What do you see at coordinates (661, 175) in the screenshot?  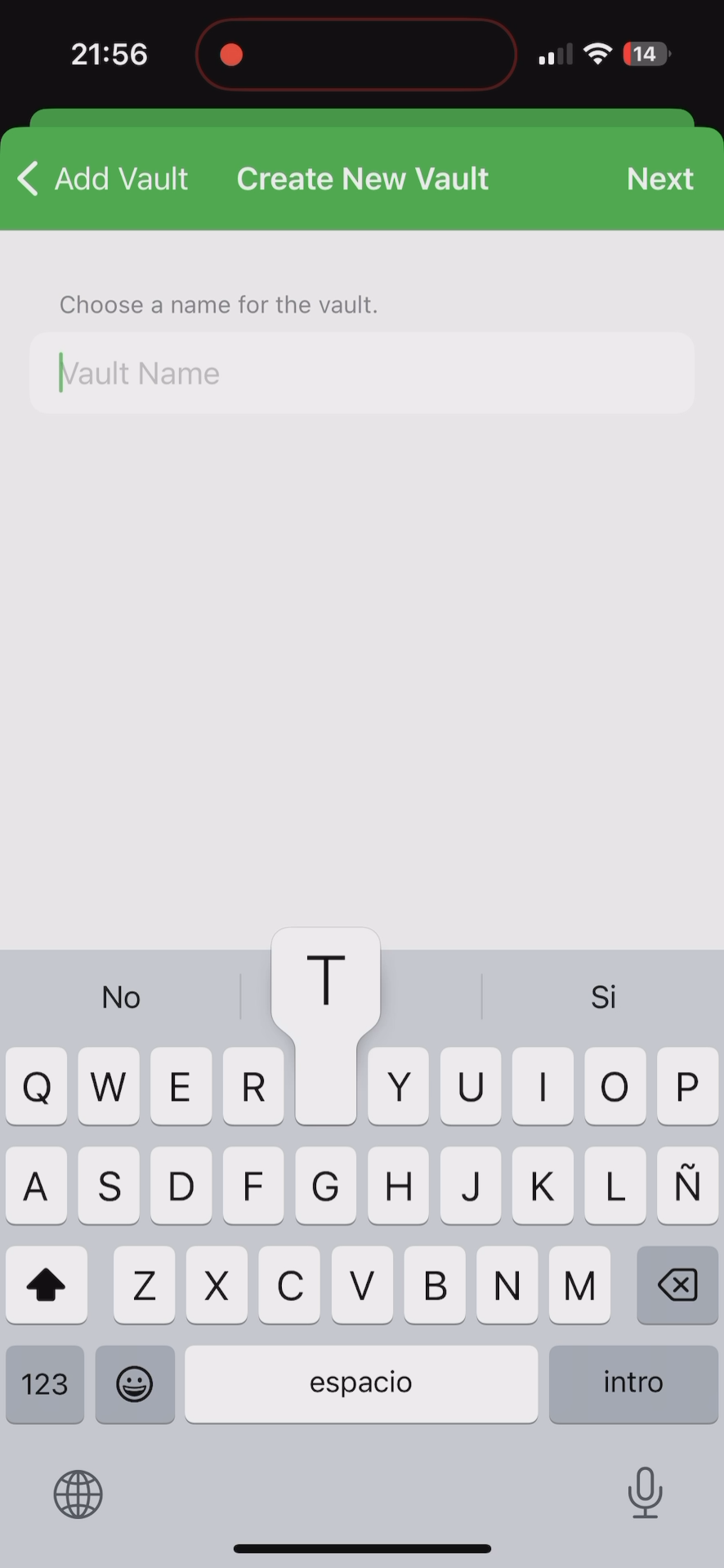 I see `next` at bounding box center [661, 175].